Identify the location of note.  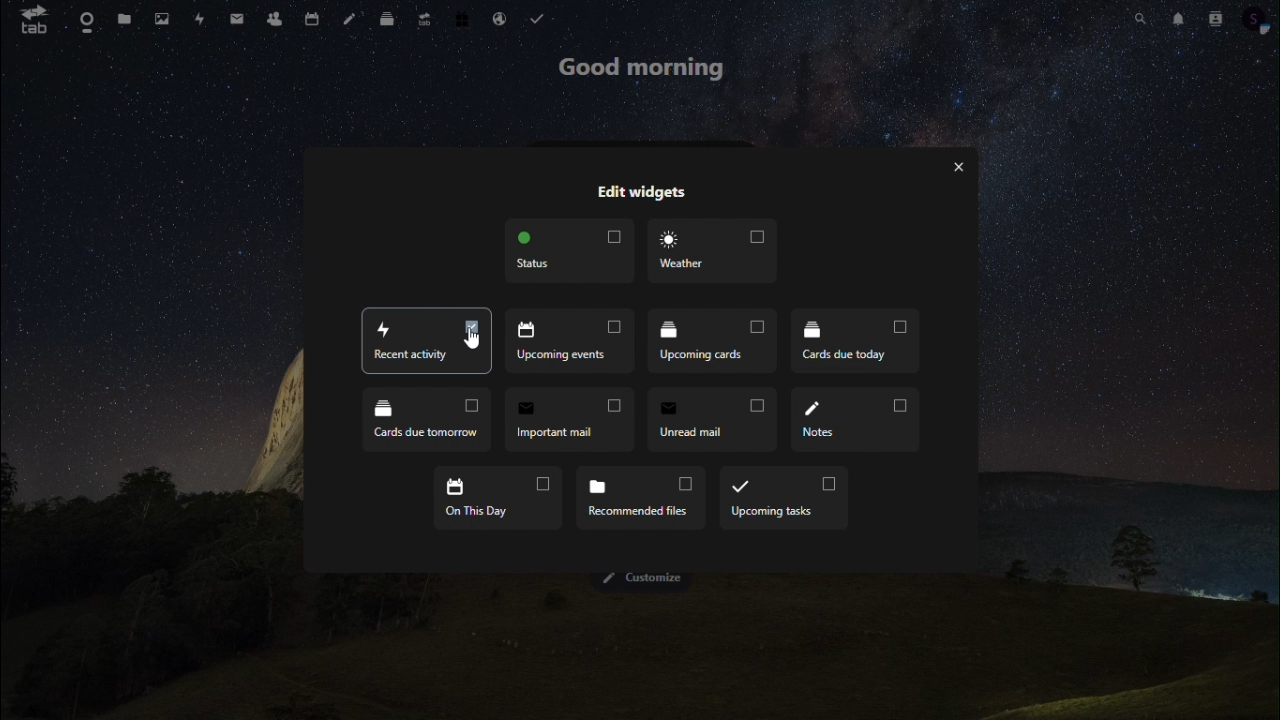
(351, 22).